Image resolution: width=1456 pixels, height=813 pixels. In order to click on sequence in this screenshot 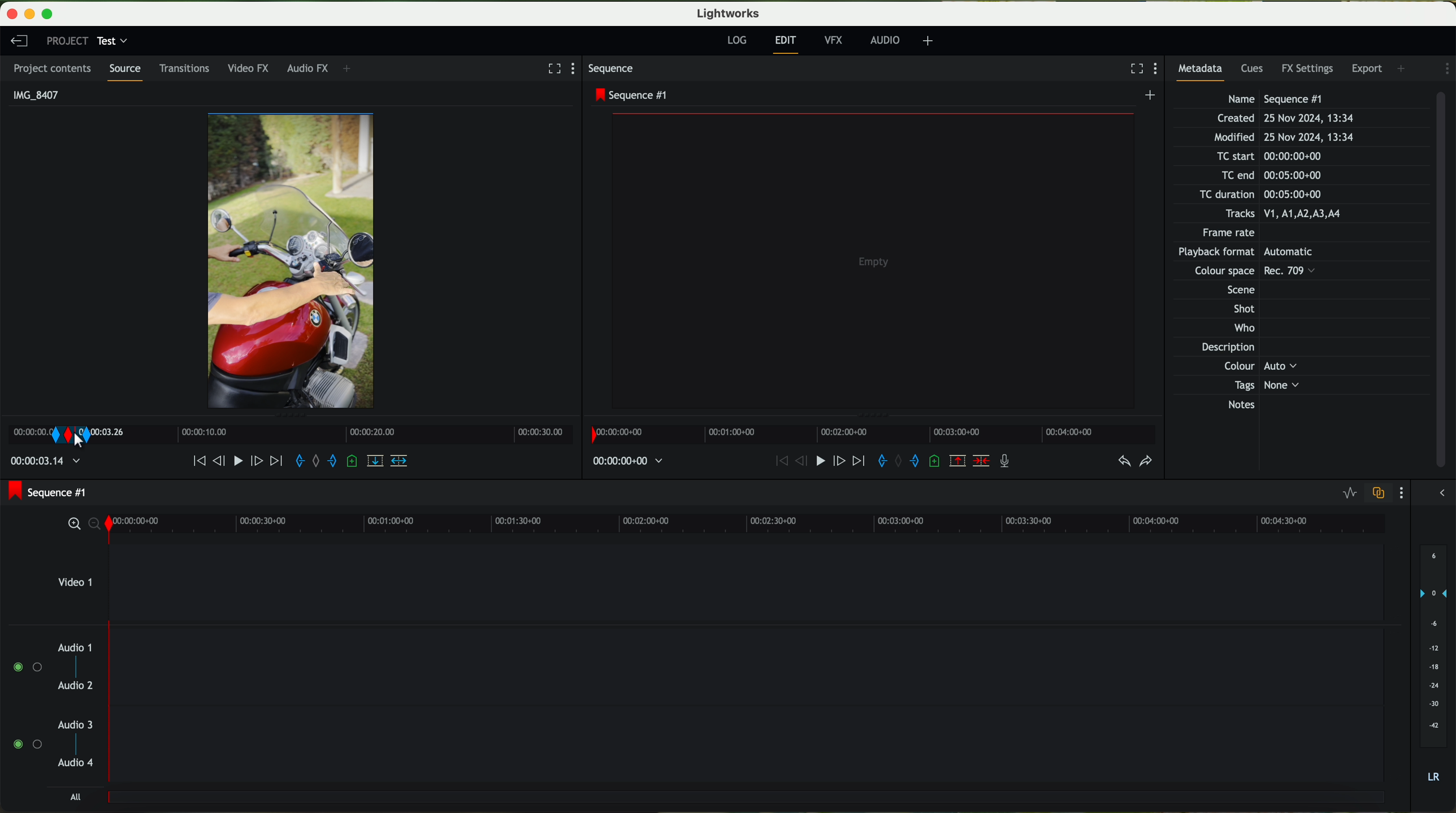, I will do `click(615, 70)`.